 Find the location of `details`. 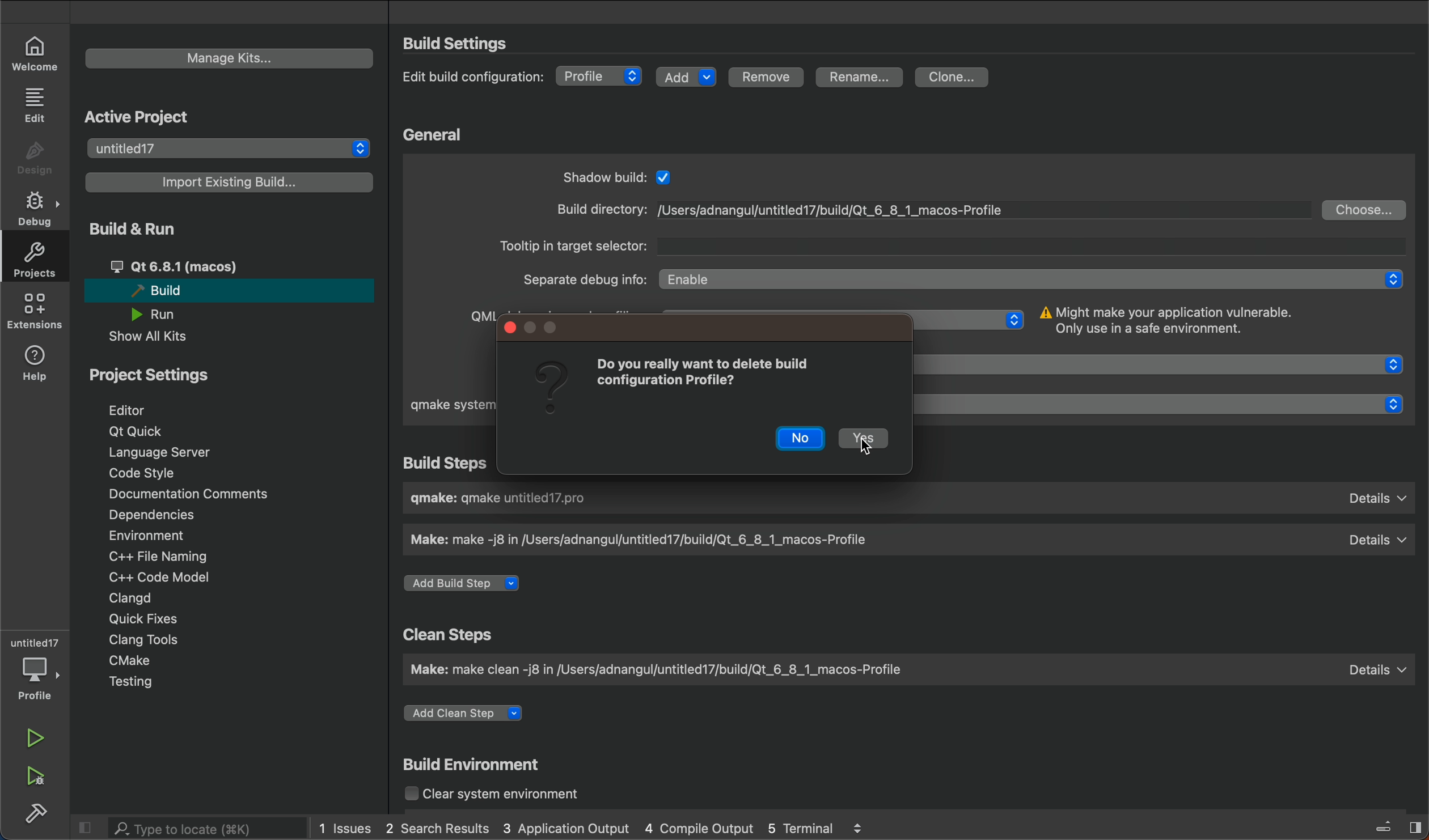

details is located at coordinates (1383, 672).